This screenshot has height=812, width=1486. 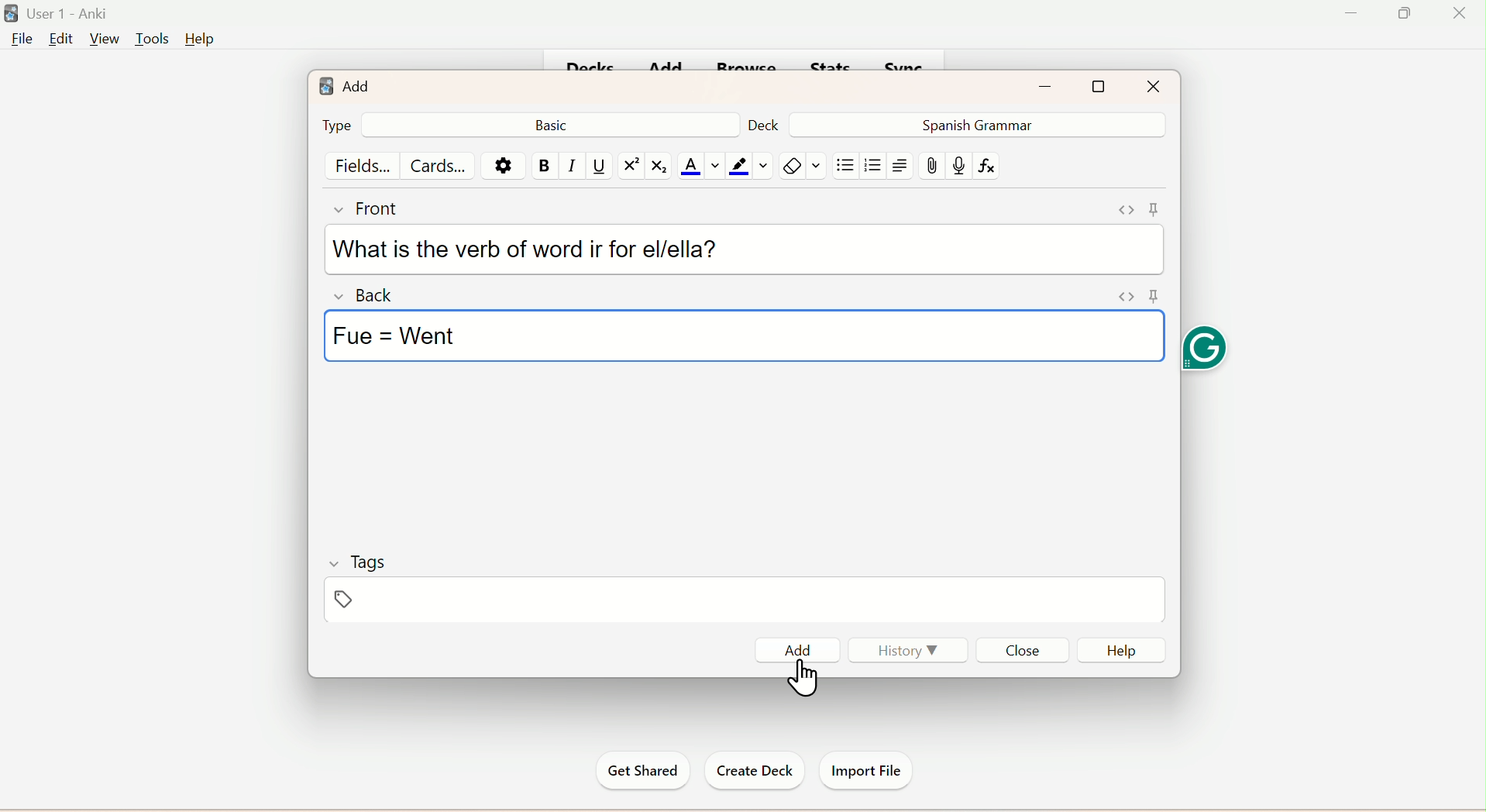 What do you see at coordinates (802, 648) in the screenshot?
I see `Add` at bounding box center [802, 648].